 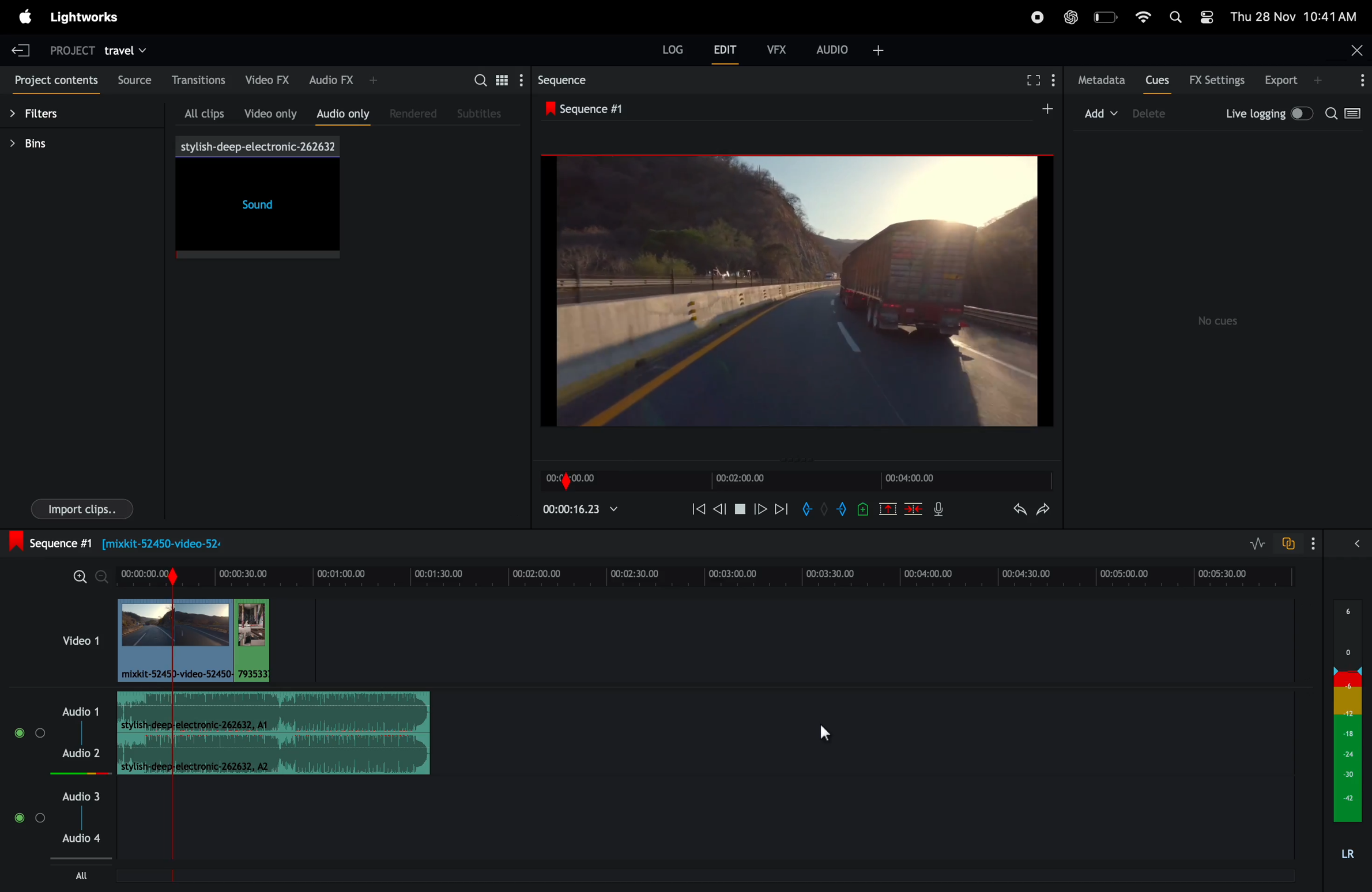 What do you see at coordinates (207, 638) in the screenshot?
I see `audio clips` at bounding box center [207, 638].